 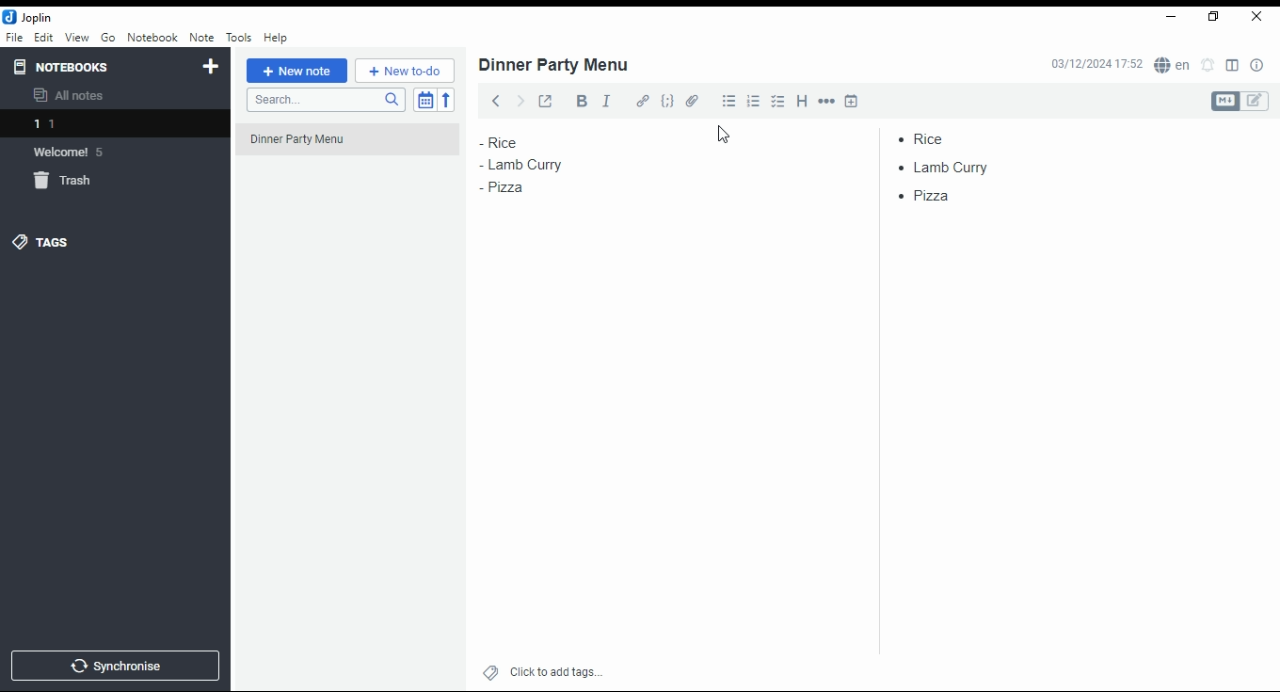 What do you see at coordinates (324, 101) in the screenshot?
I see `search` at bounding box center [324, 101].